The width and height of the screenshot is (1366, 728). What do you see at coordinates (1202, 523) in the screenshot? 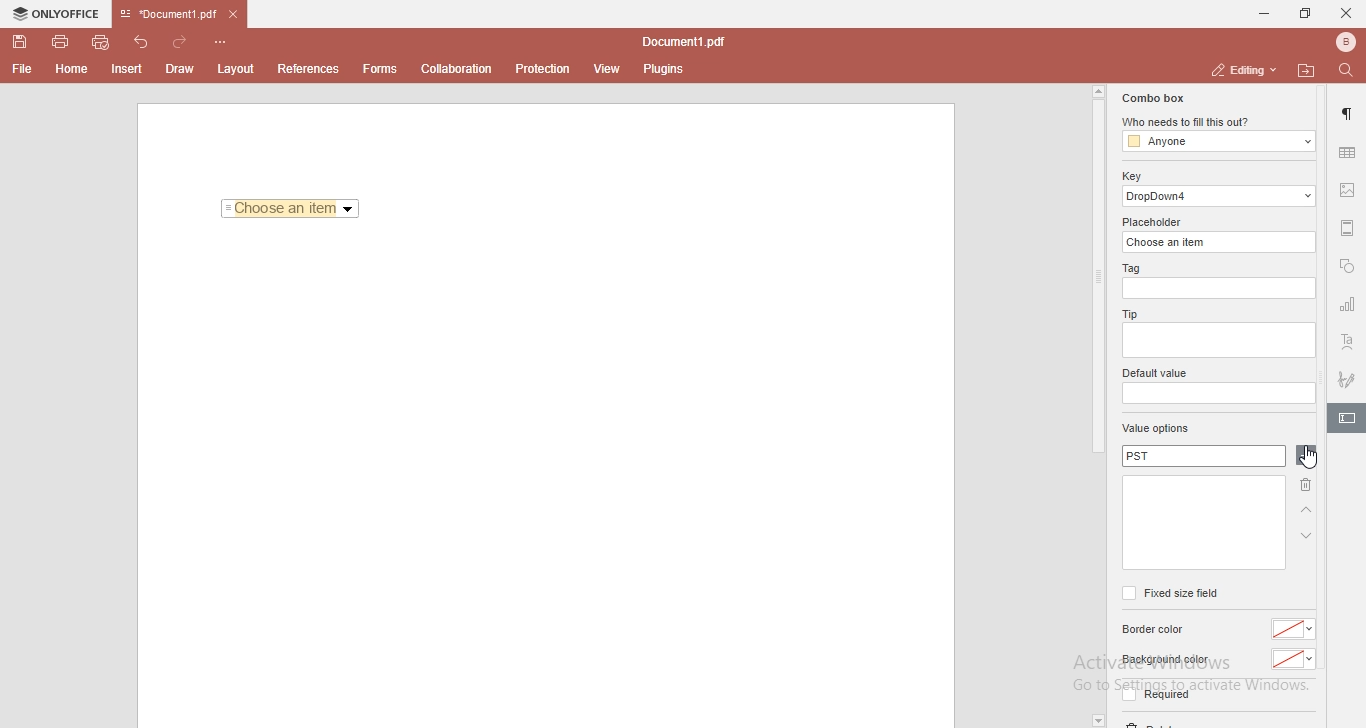
I see `empty box` at bounding box center [1202, 523].